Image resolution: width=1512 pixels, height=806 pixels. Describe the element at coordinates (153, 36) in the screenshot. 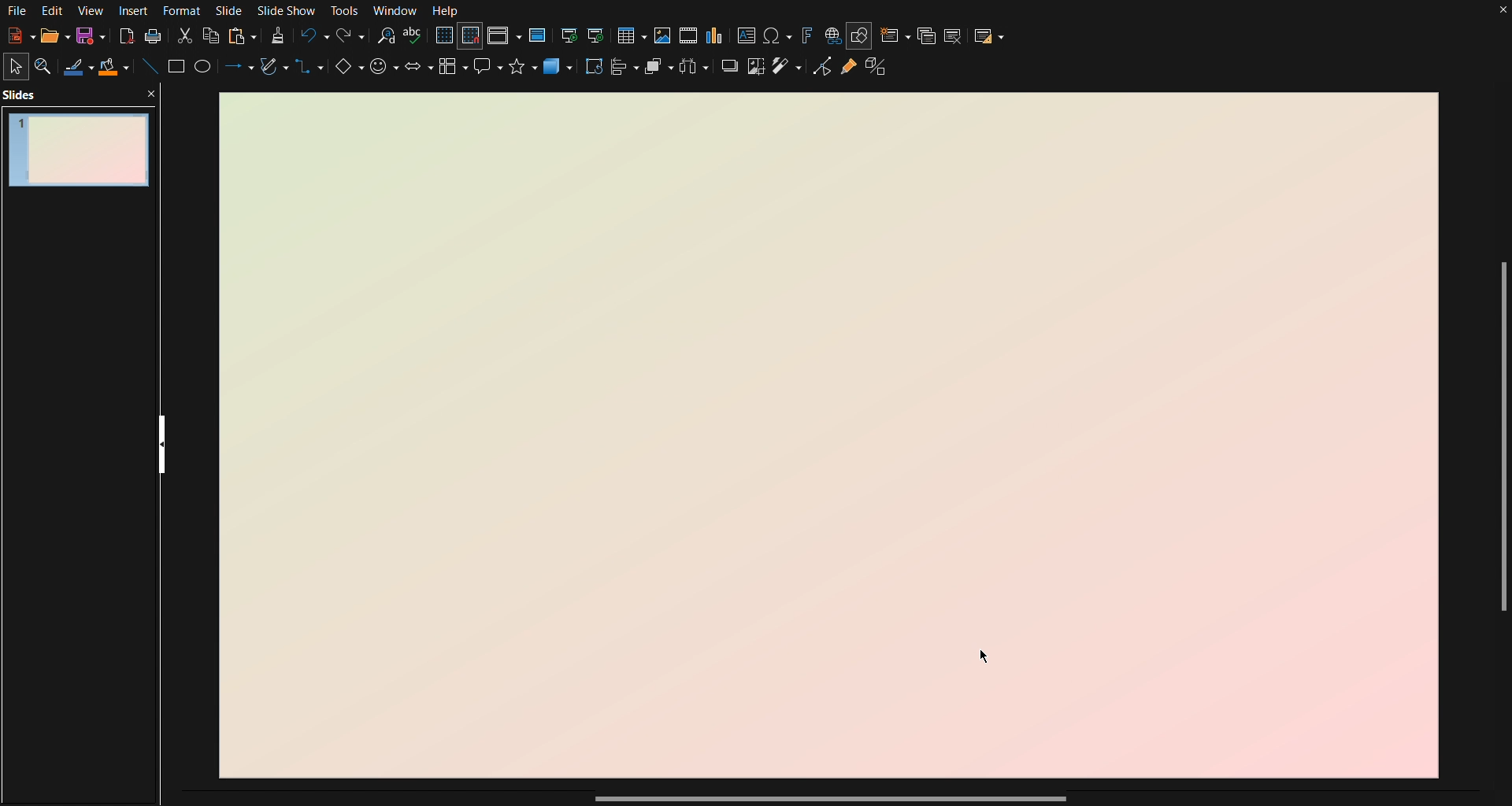

I see `Print` at that location.